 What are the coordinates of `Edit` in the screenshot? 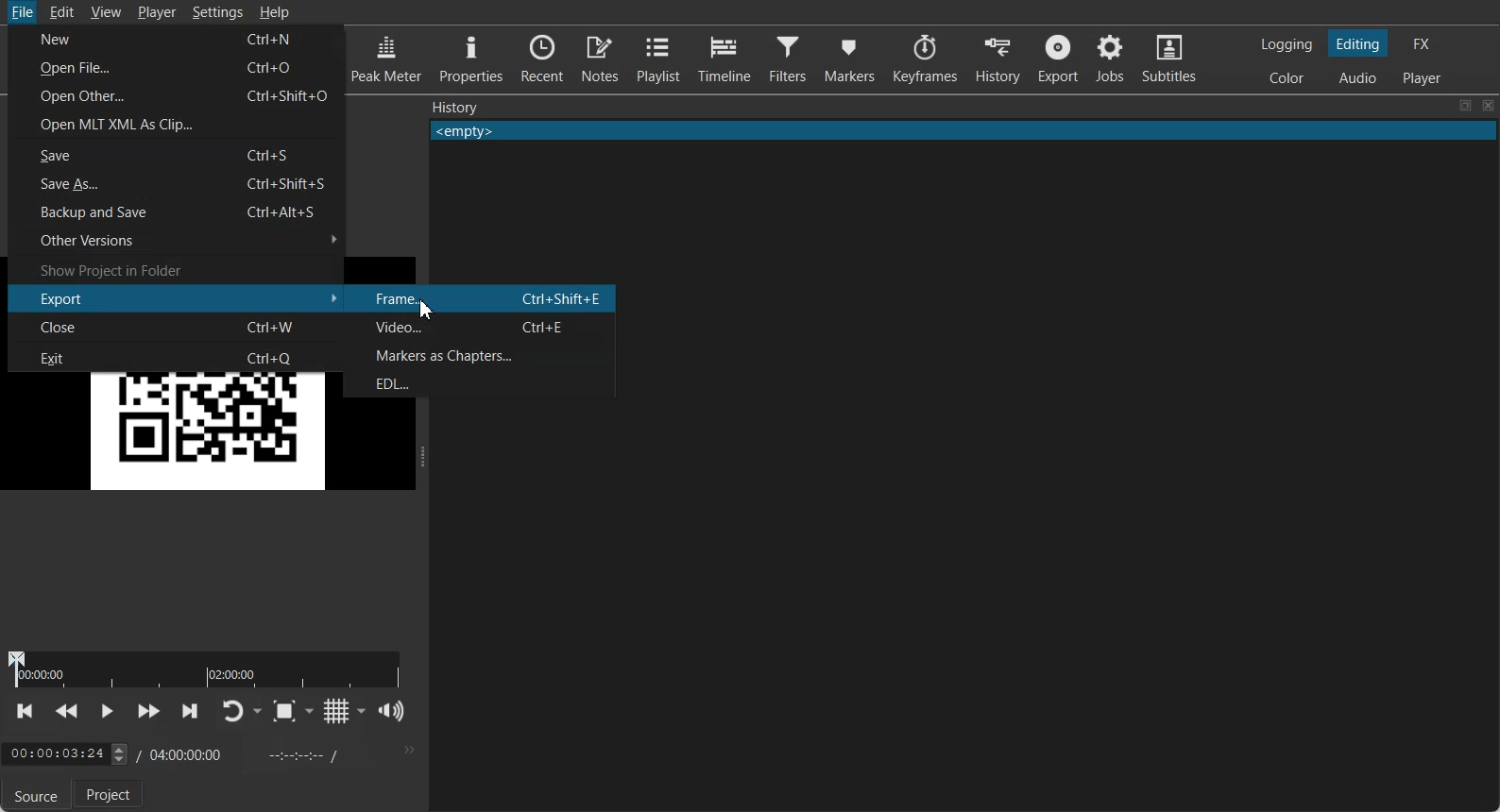 It's located at (61, 11).